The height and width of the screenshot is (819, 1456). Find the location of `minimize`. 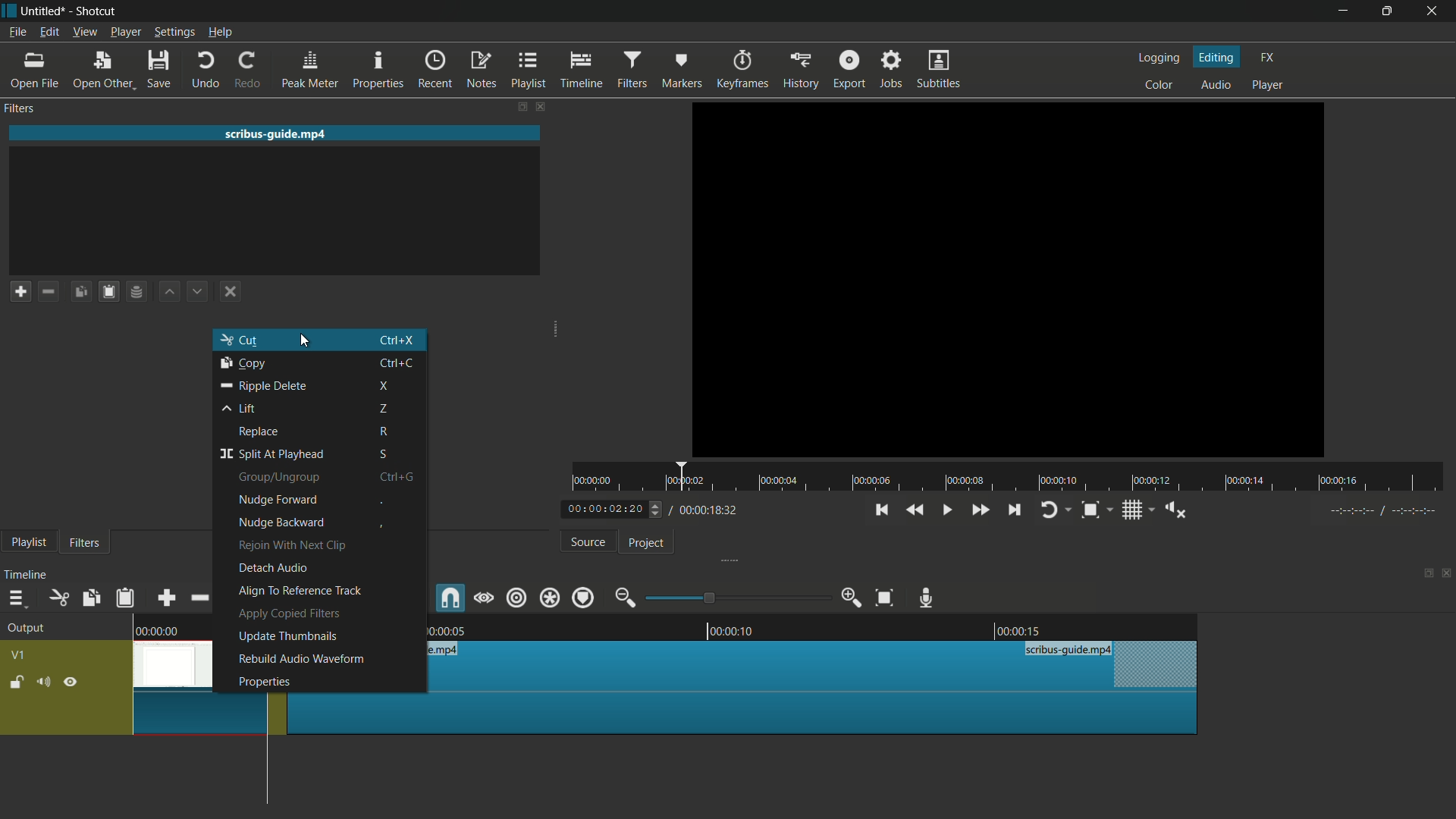

minimize is located at coordinates (1344, 11).